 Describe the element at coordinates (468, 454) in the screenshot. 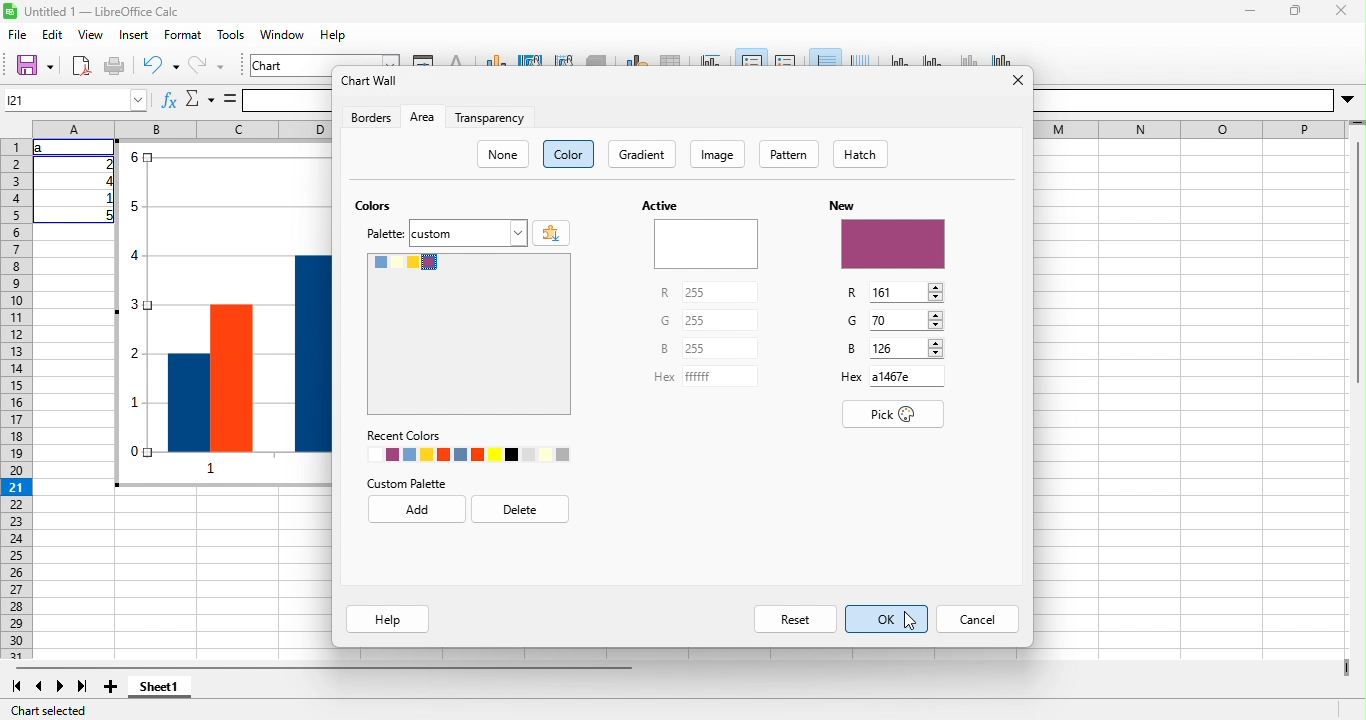

I see `recently used colors` at that location.